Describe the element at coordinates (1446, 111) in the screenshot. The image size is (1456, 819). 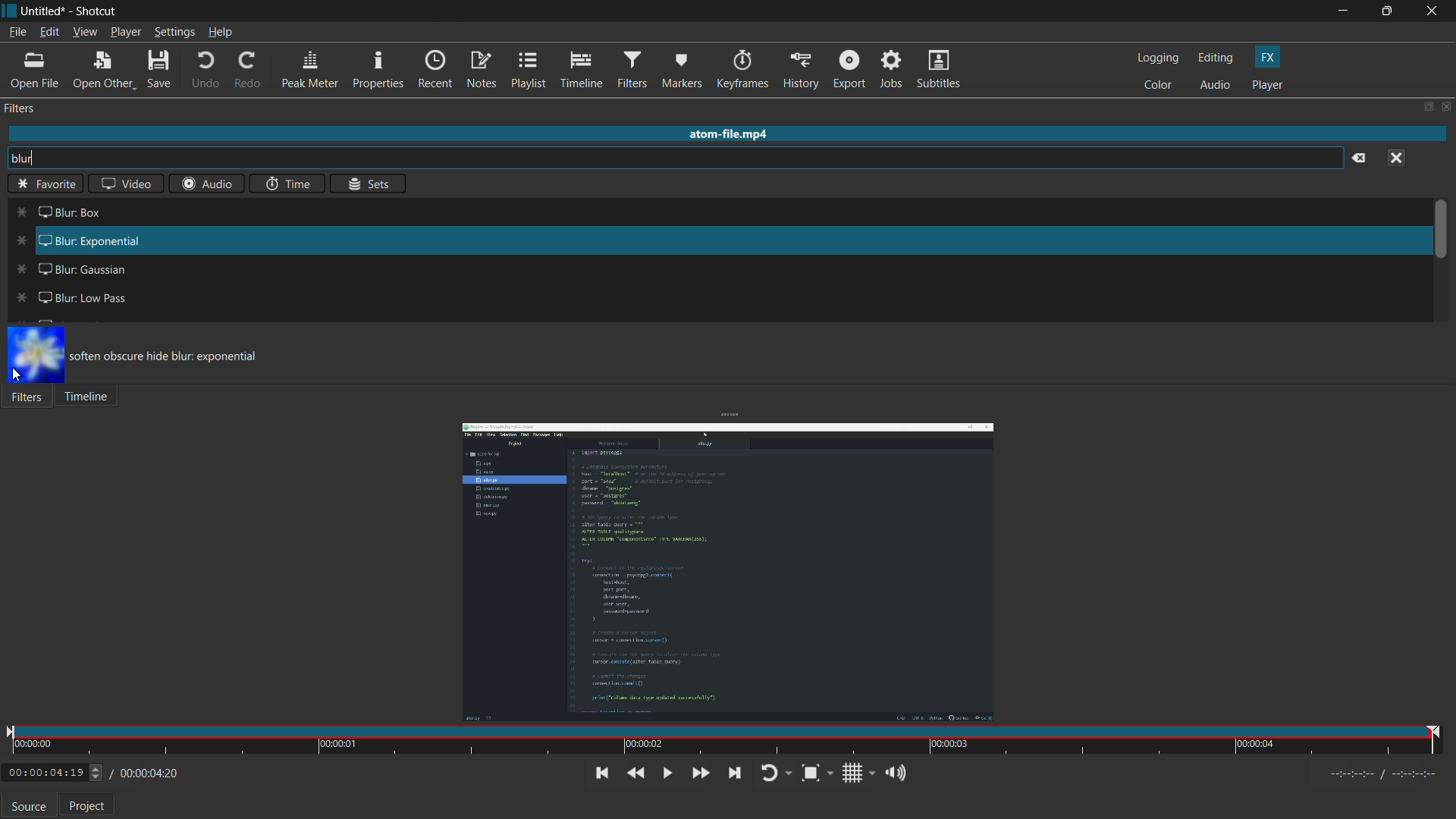
I see `close` at that location.